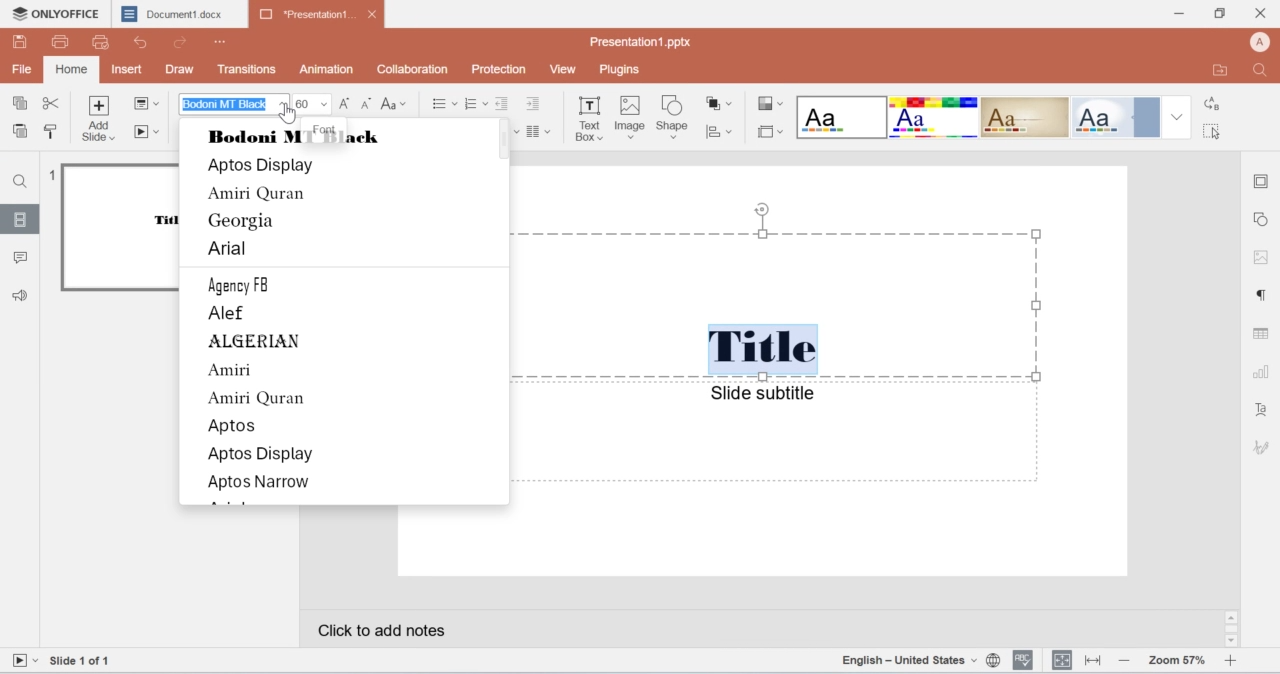 The image size is (1280, 674). Describe the element at coordinates (22, 258) in the screenshot. I see `comments` at that location.